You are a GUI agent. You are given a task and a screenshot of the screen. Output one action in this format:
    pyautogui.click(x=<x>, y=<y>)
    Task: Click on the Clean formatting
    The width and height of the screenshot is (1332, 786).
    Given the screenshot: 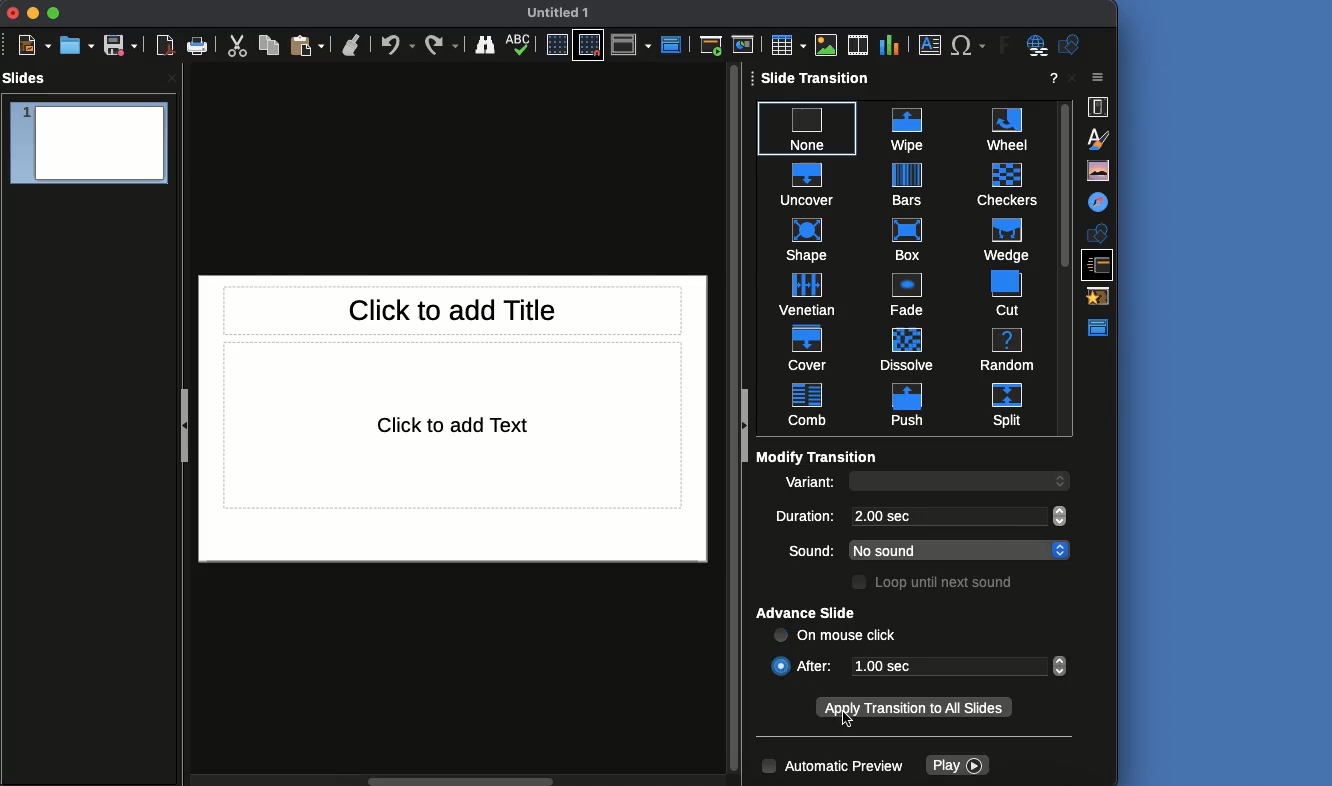 What is the action you would take?
    pyautogui.click(x=354, y=44)
    